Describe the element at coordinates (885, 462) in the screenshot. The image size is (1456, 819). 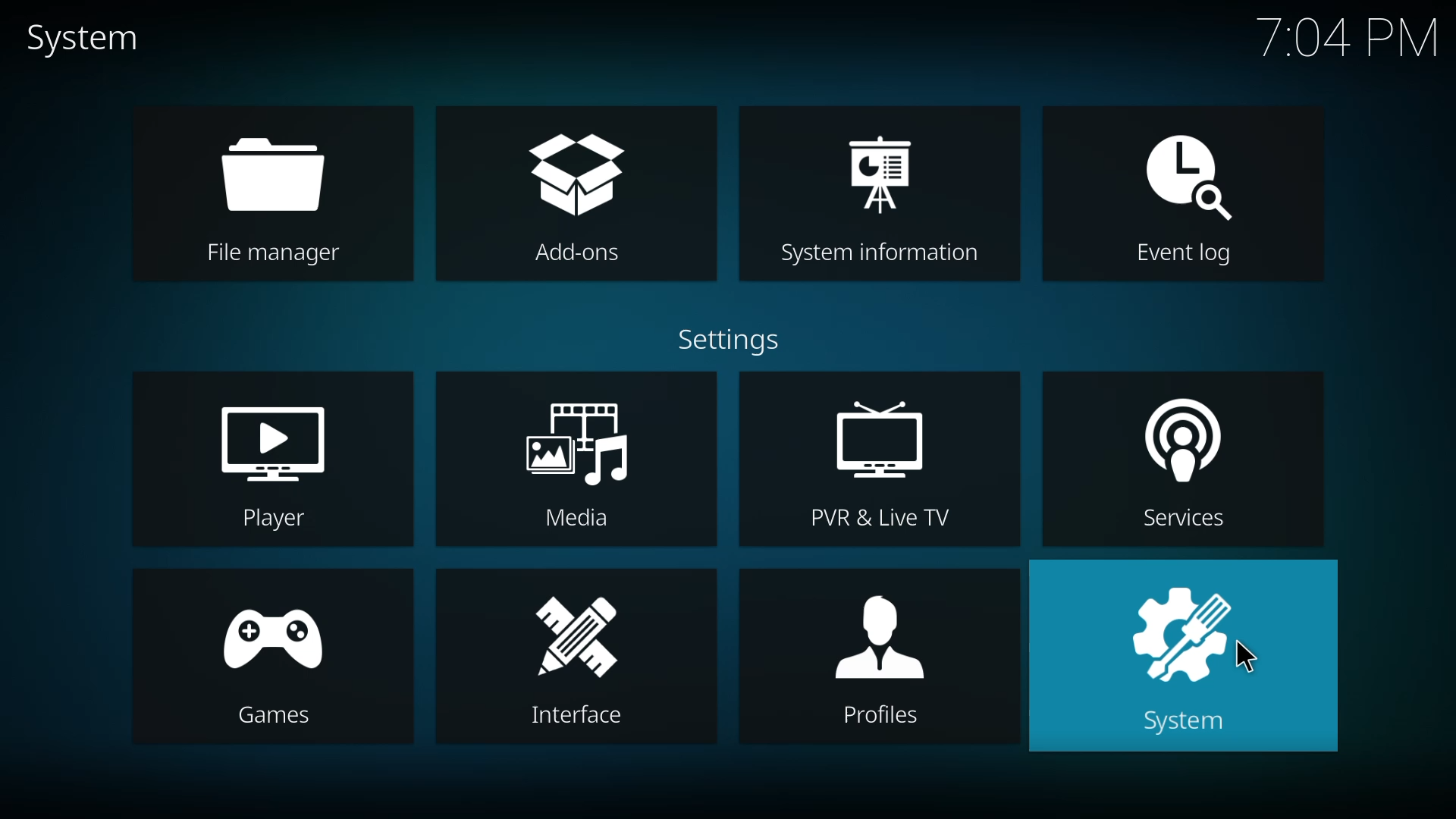
I see `pvr & live tv` at that location.